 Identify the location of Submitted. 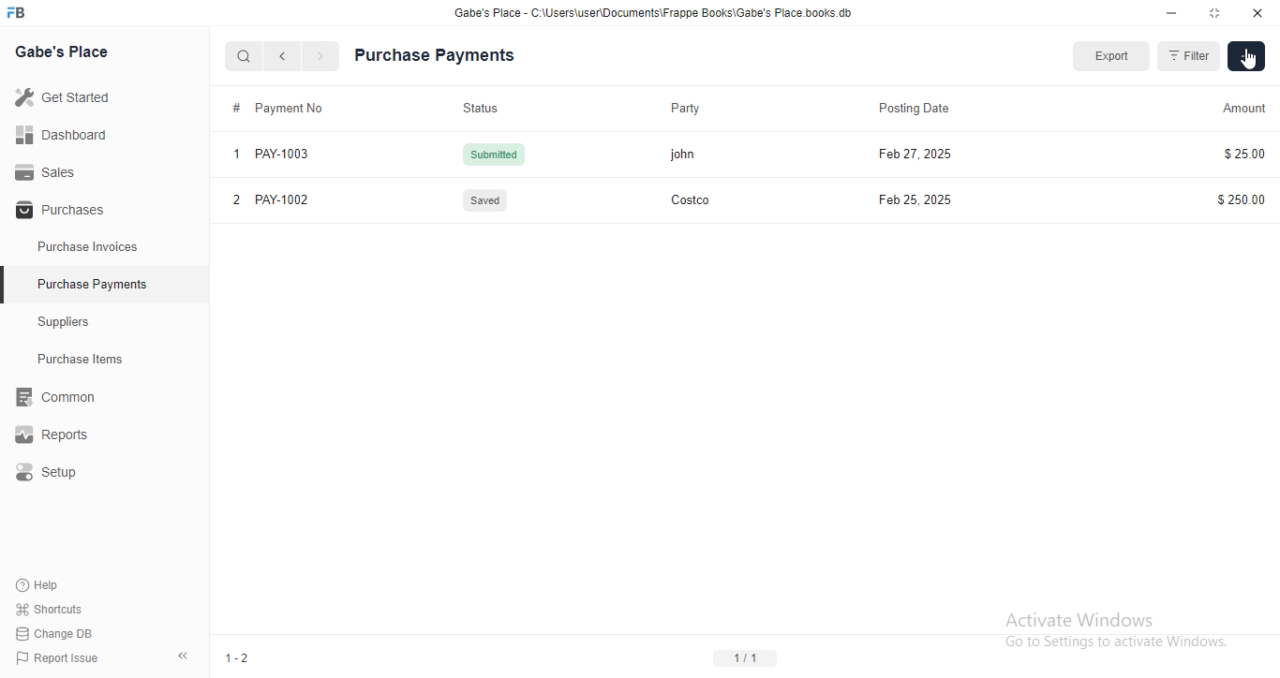
(491, 154).